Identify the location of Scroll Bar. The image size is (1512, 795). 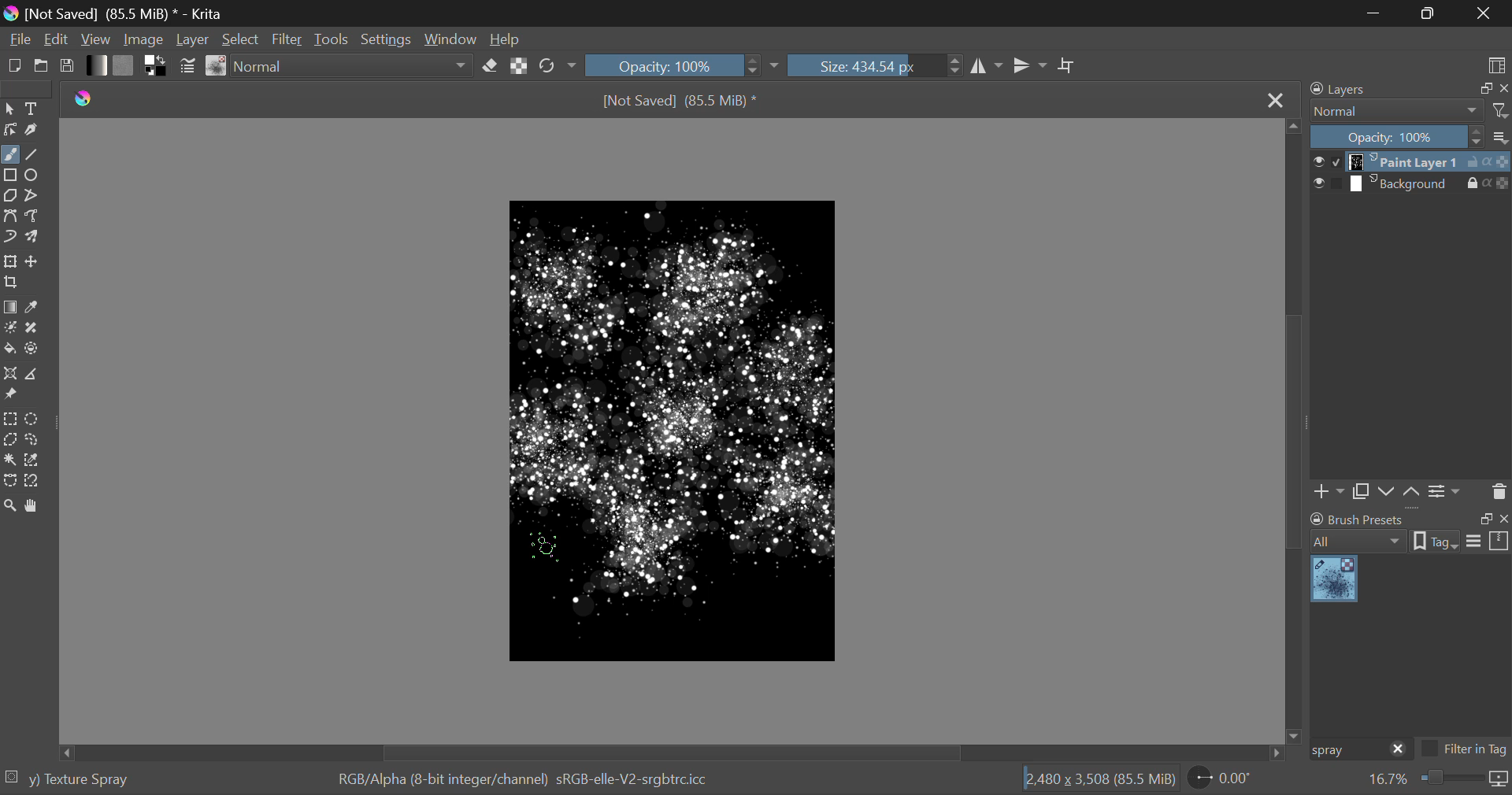
(1295, 429).